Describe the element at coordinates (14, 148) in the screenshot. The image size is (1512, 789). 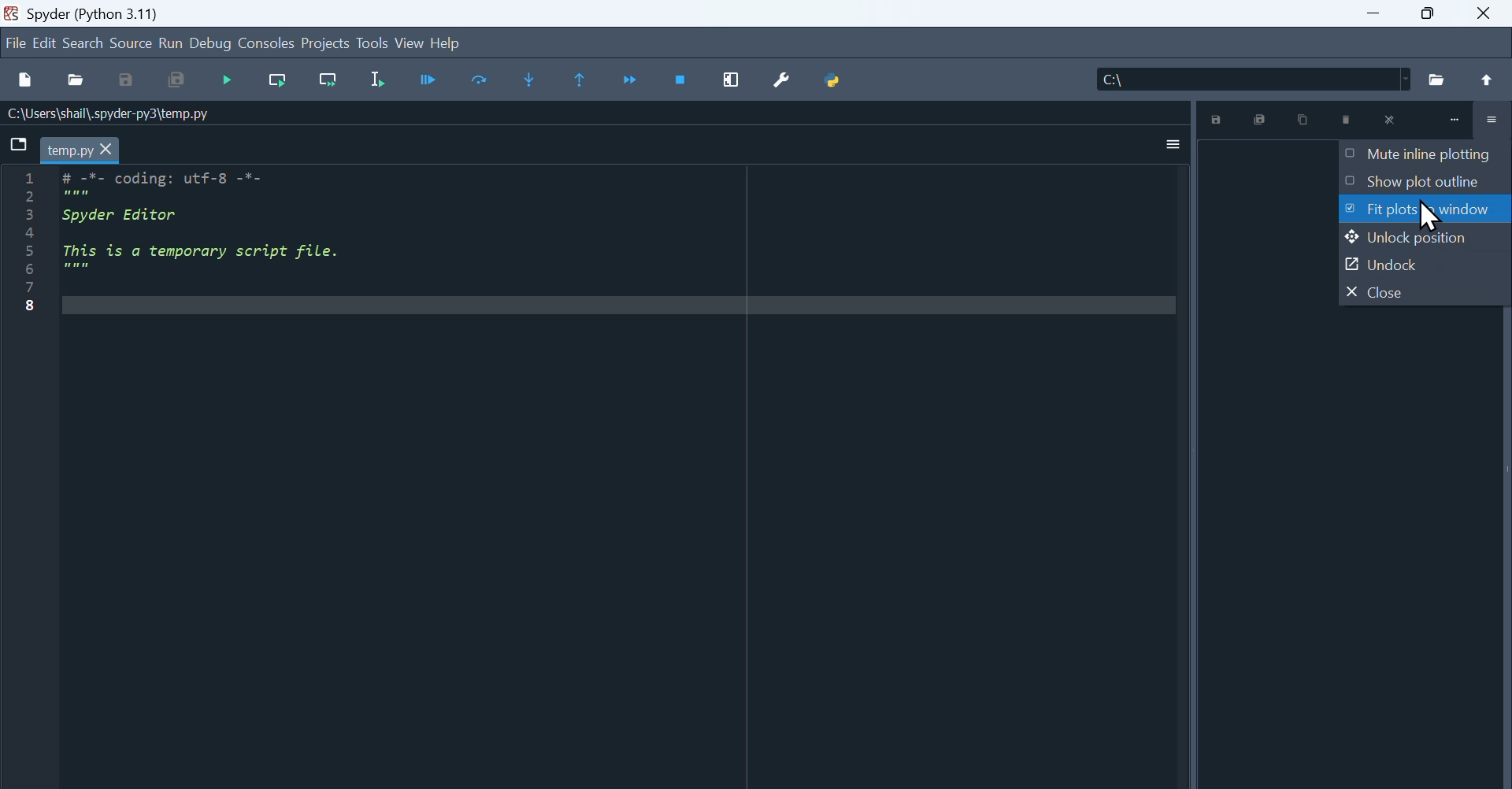
I see `Browse tabs` at that location.